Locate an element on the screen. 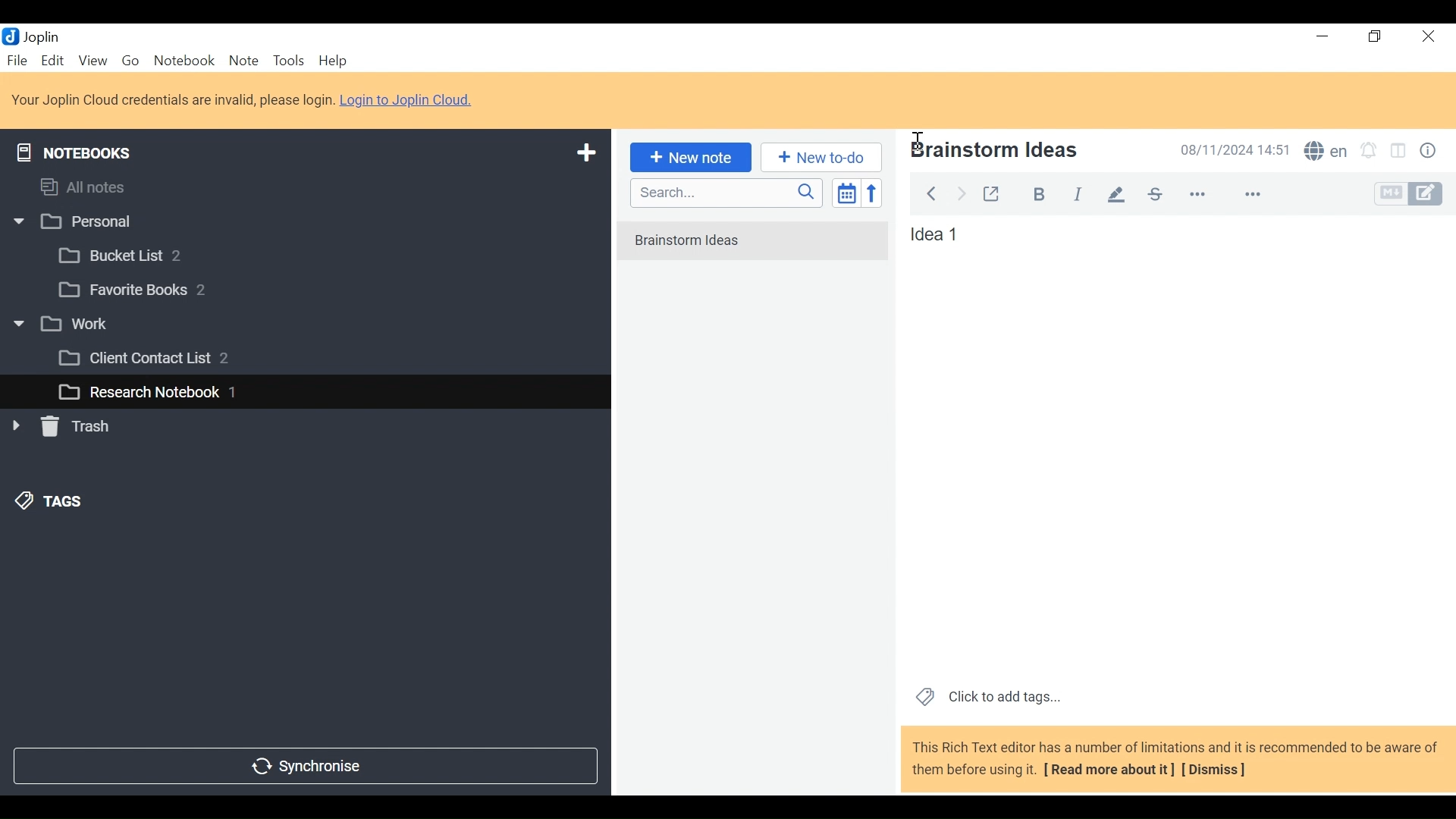 This screenshot has width=1456, height=819. This Rich Text editor has a number of limitations and it is recommended to be aware of
them before using it. [ Read more about it] [Dismiss] is located at coordinates (1175, 758).